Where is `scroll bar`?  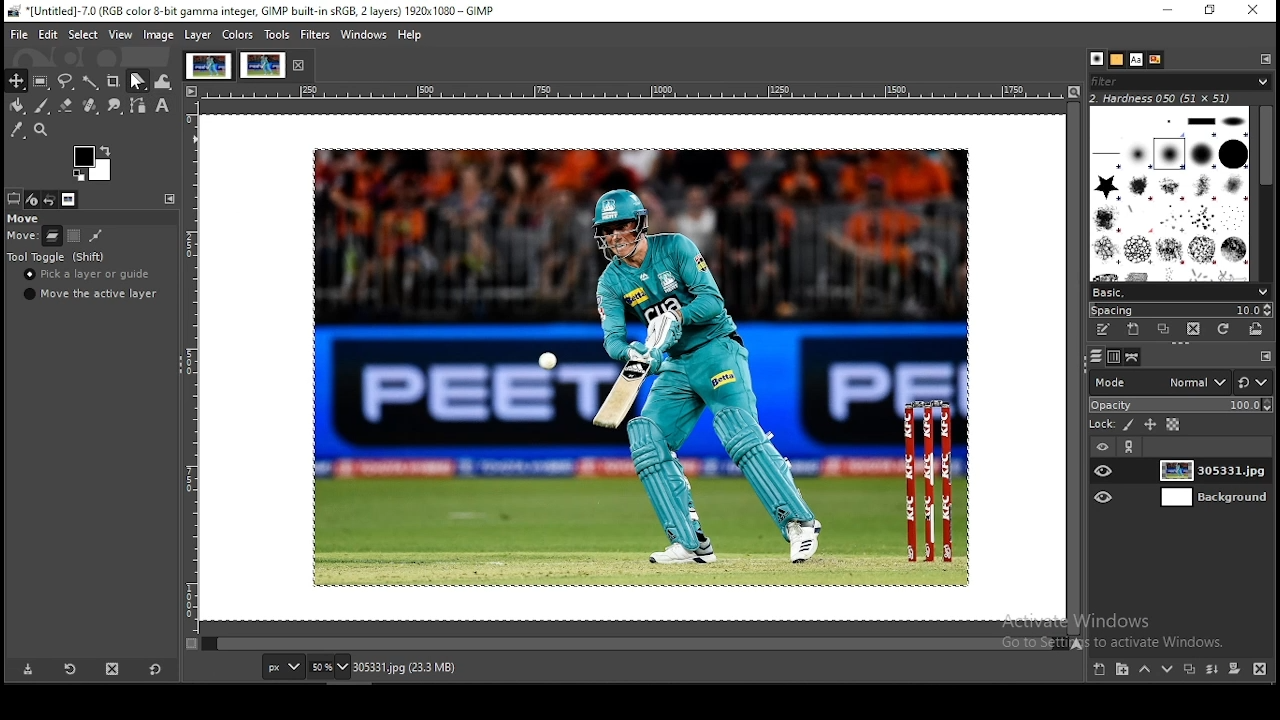
scroll bar is located at coordinates (1072, 368).